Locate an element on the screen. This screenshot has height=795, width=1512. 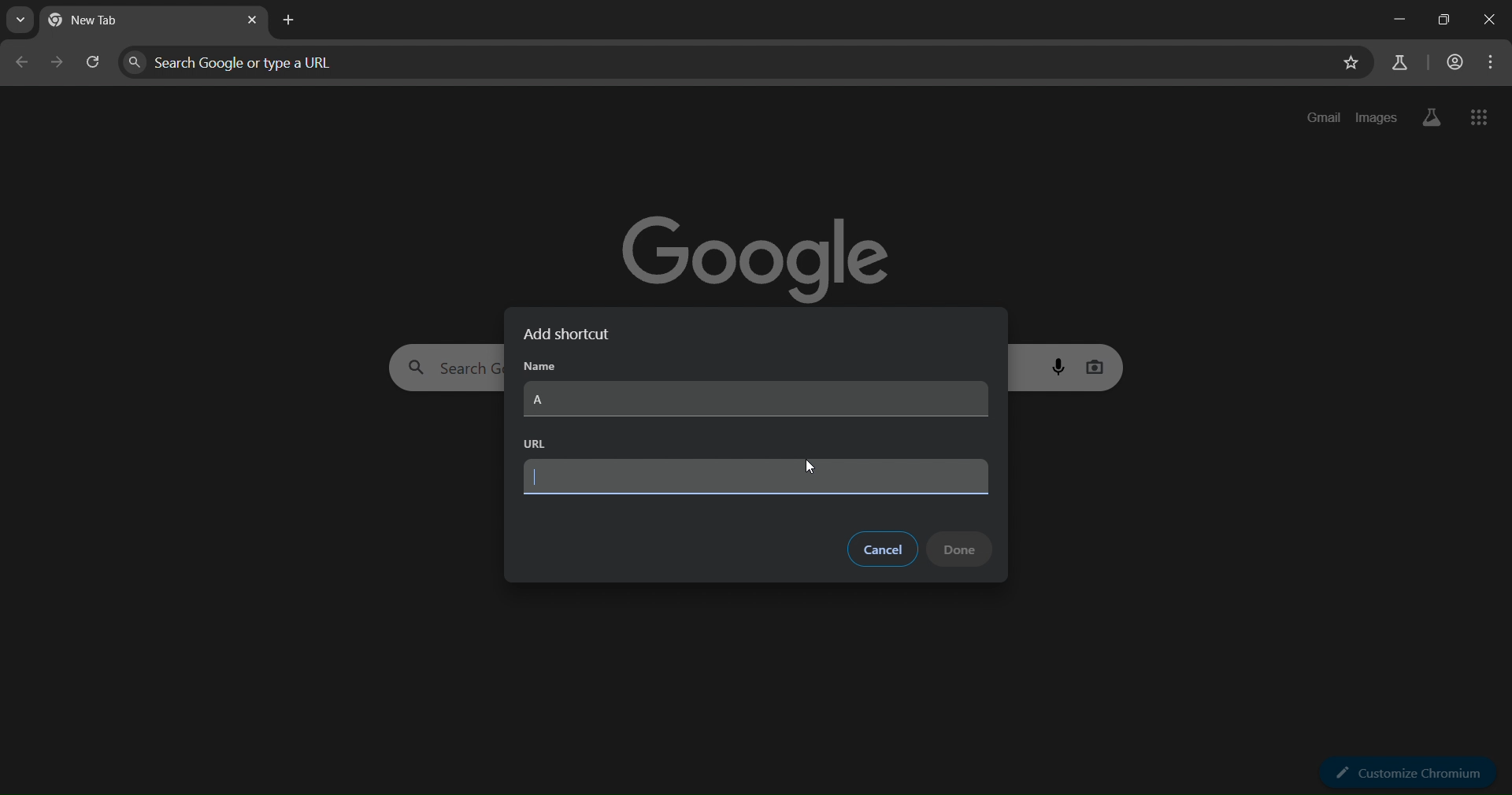
google is located at coordinates (762, 250).